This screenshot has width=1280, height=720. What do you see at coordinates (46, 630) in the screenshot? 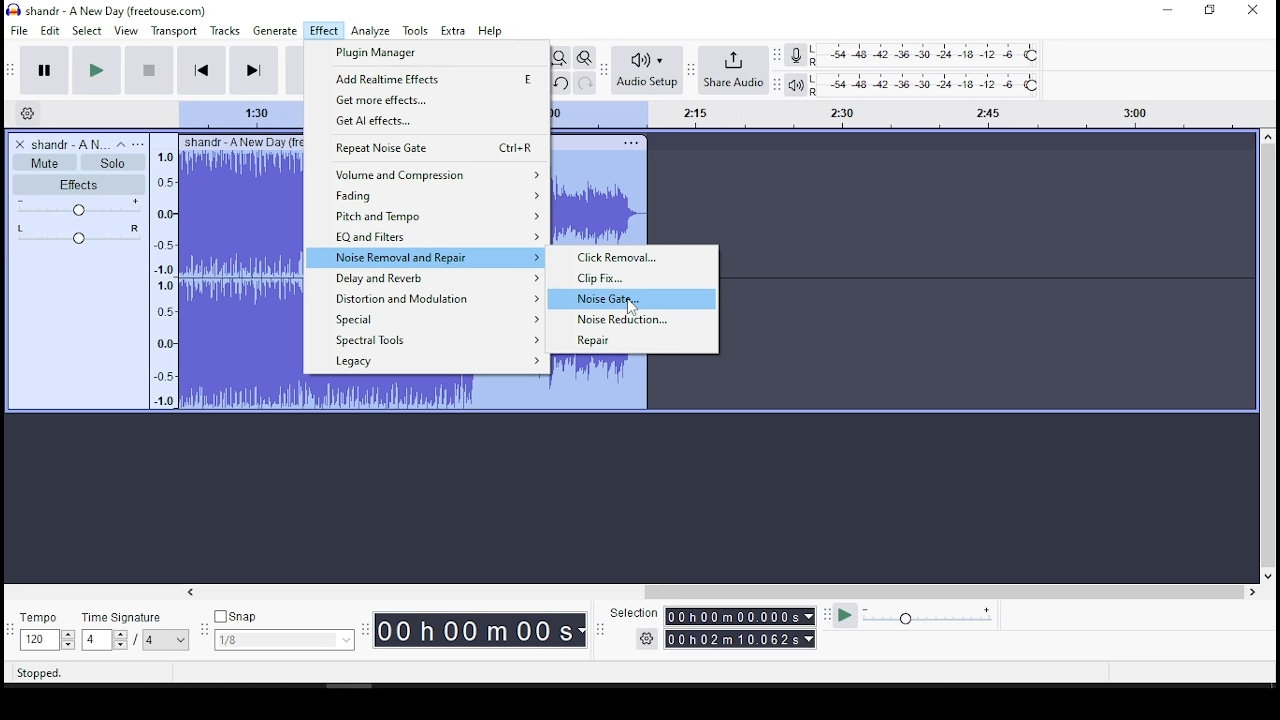
I see `tempo` at bounding box center [46, 630].